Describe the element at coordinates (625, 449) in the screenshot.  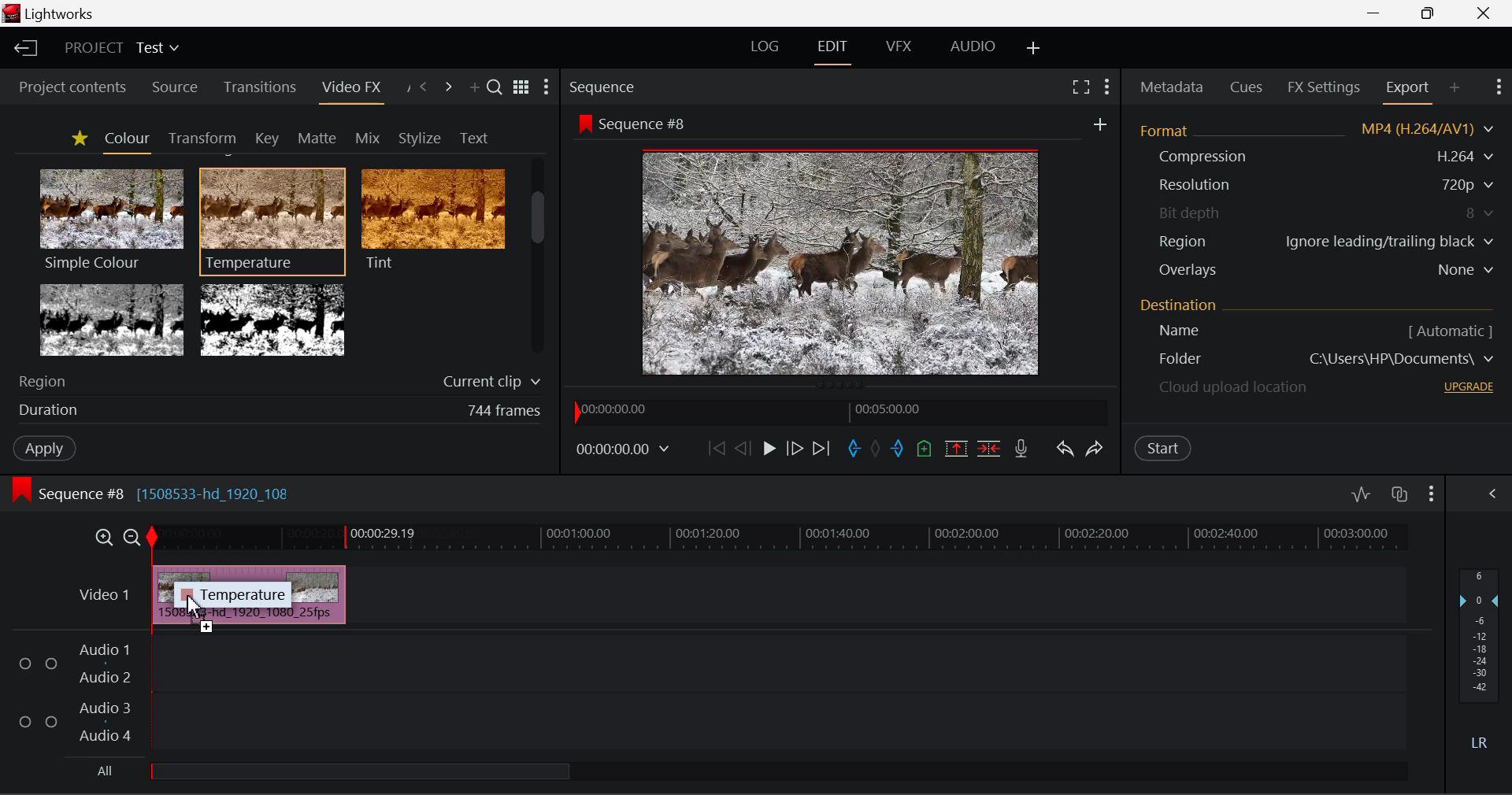
I see `00:00:00.00` at that location.